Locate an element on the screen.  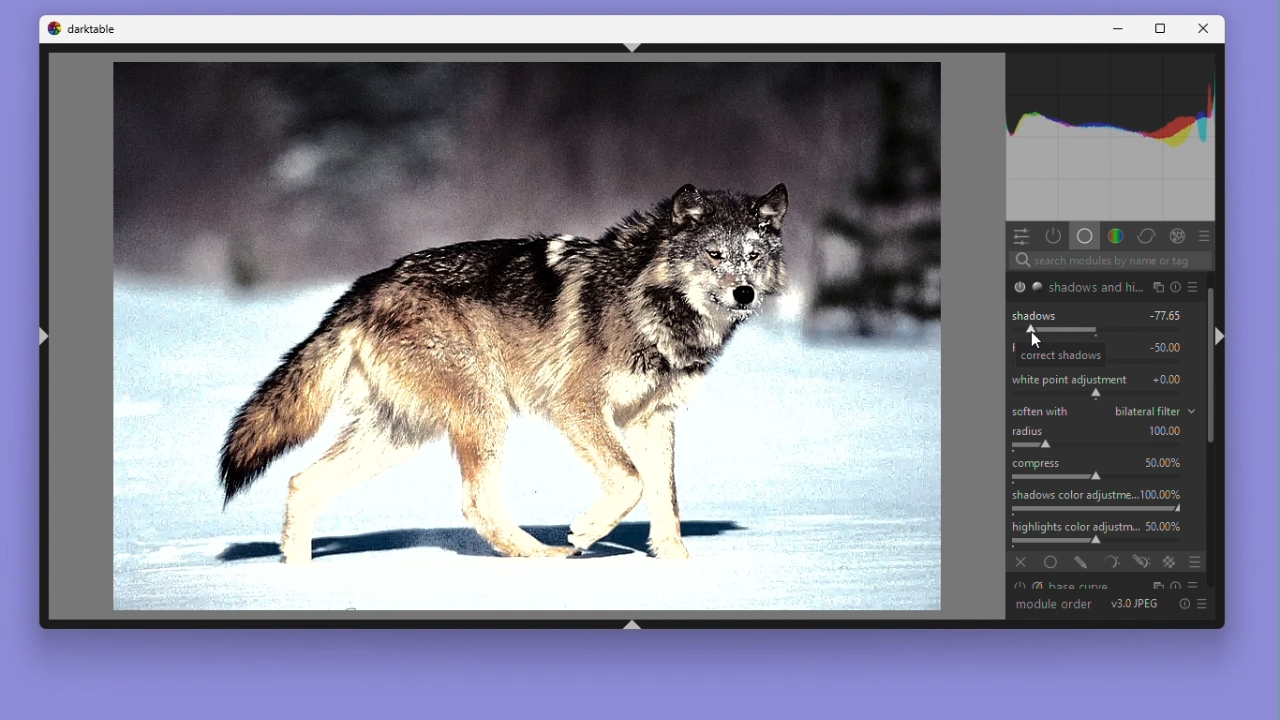
uniformly is located at coordinates (1049, 561).